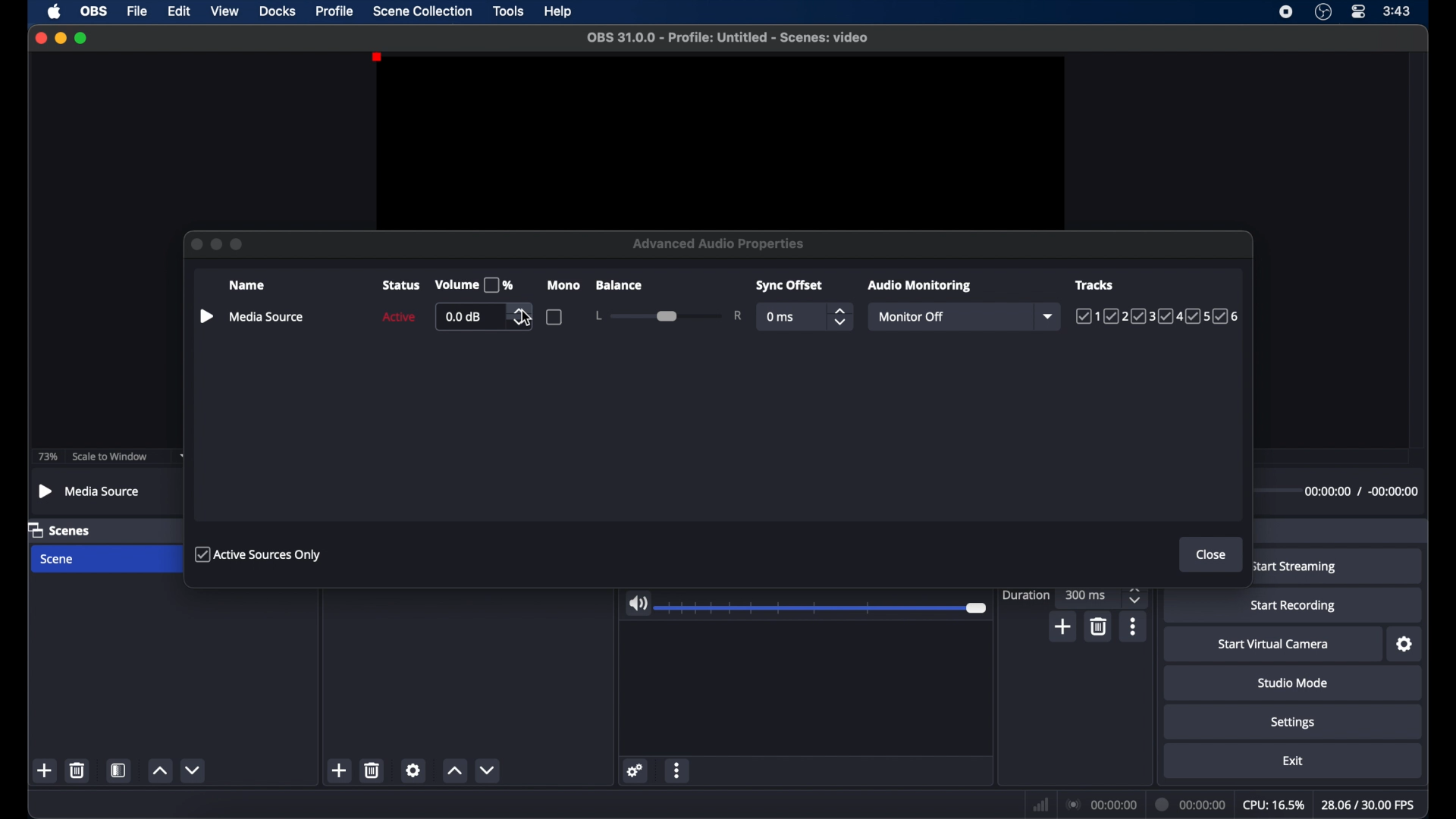 The image size is (1456, 819). Describe the element at coordinates (454, 771) in the screenshot. I see `increment` at that location.